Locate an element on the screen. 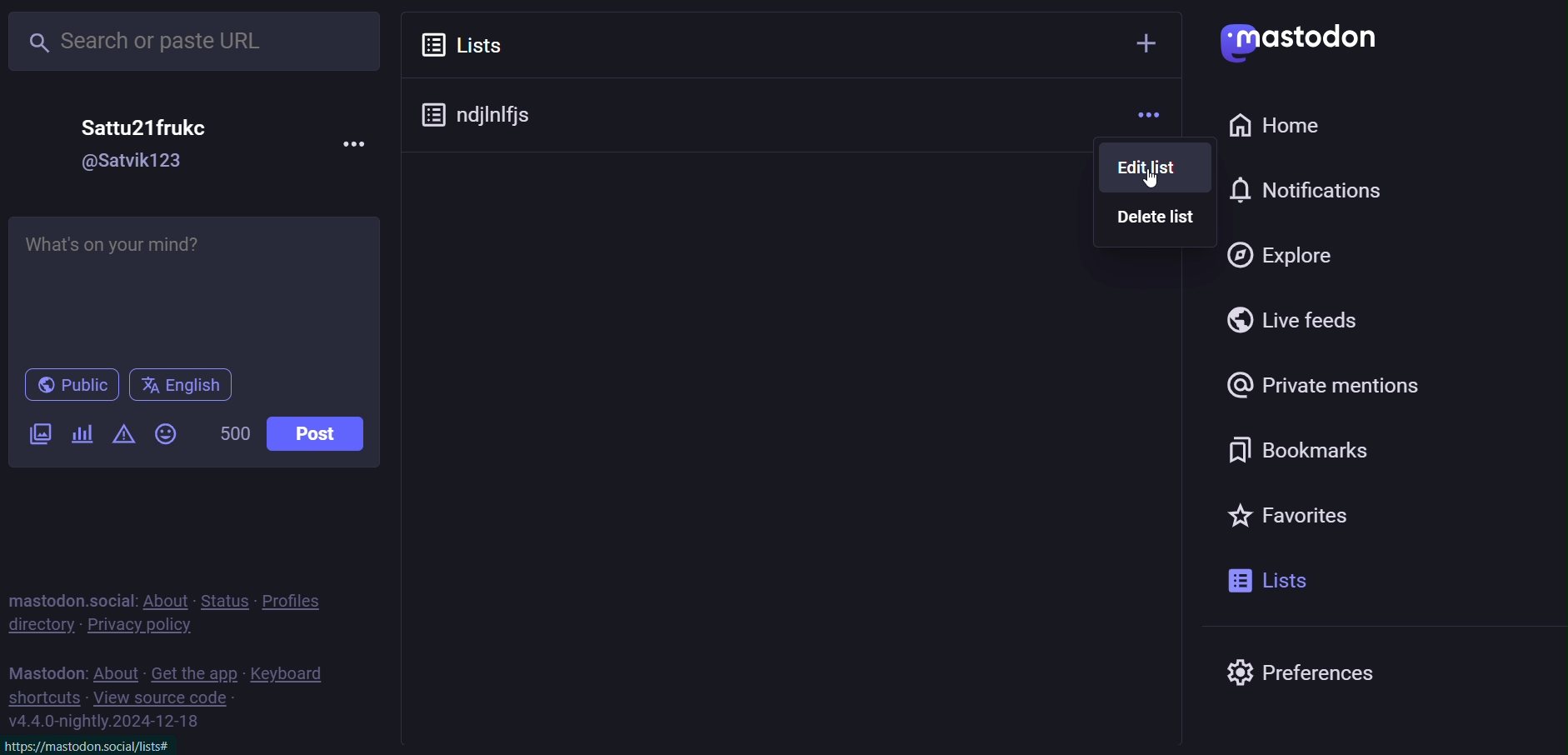 This screenshot has height=755, width=1568. Whats on your mind is located at coordinates (194, 284).